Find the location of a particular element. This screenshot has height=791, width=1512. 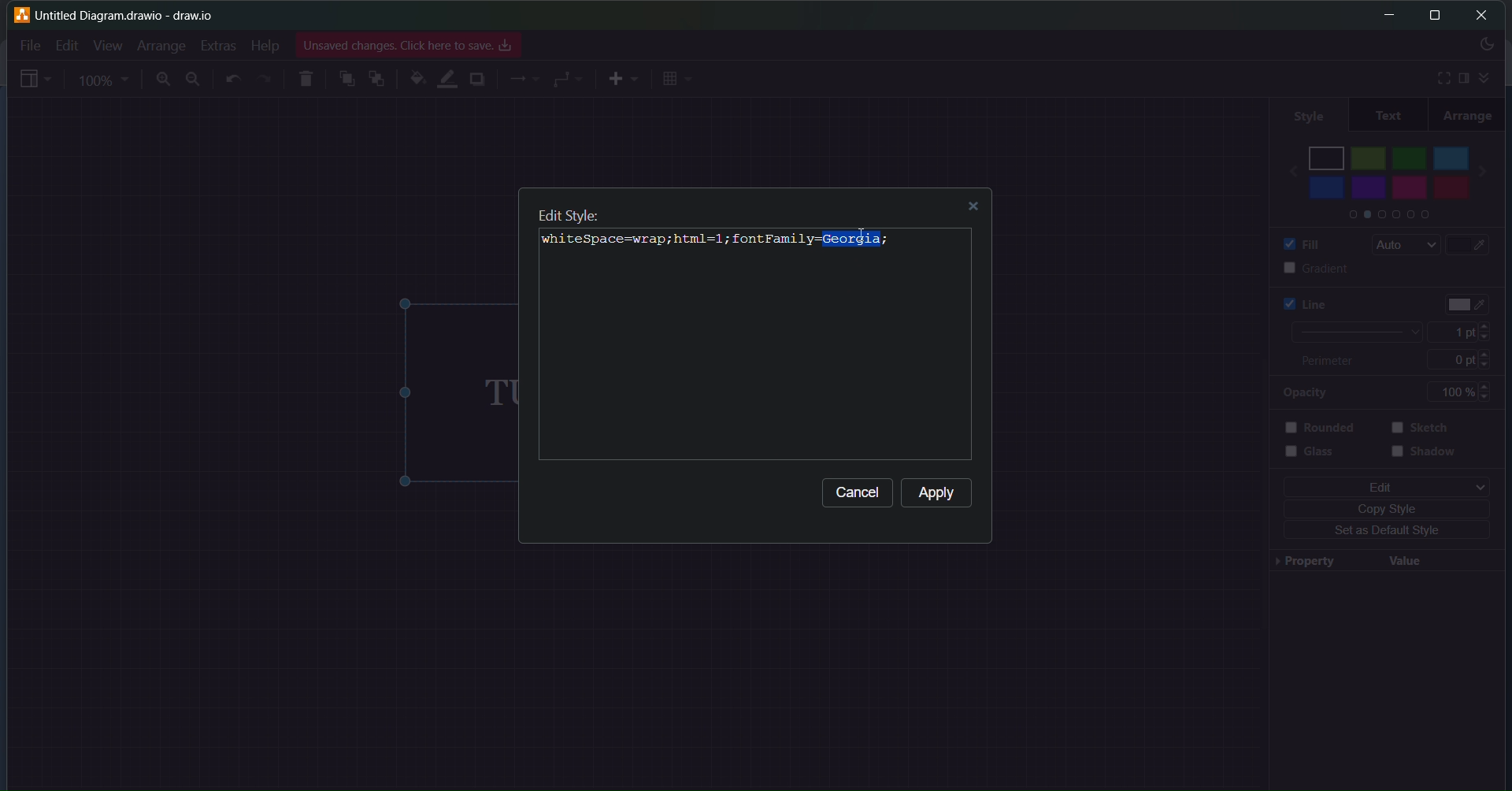

back is located at coordinates (1285, 166).